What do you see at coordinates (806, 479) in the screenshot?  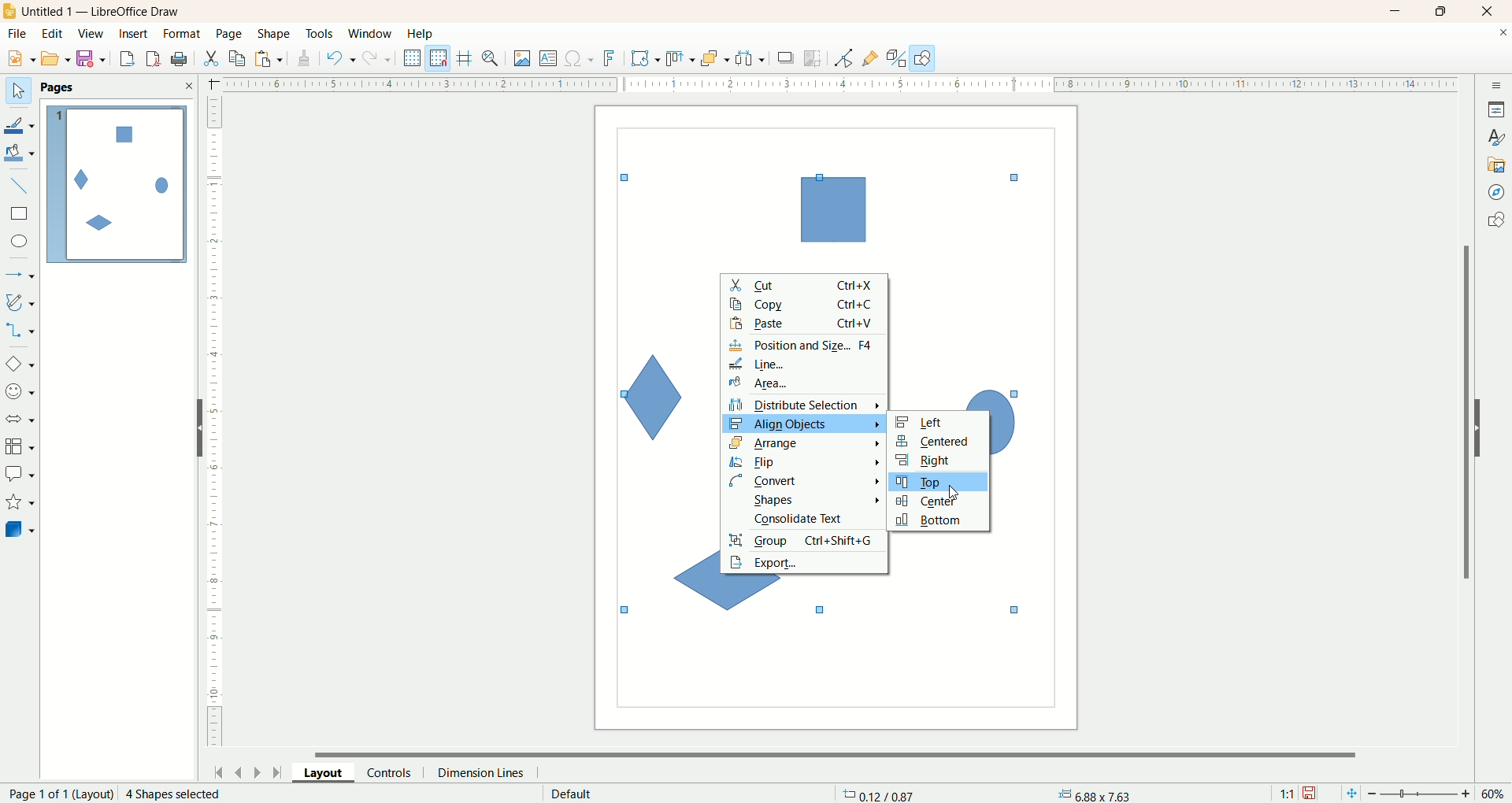 I see `convert` at bounding box center [806, 479].